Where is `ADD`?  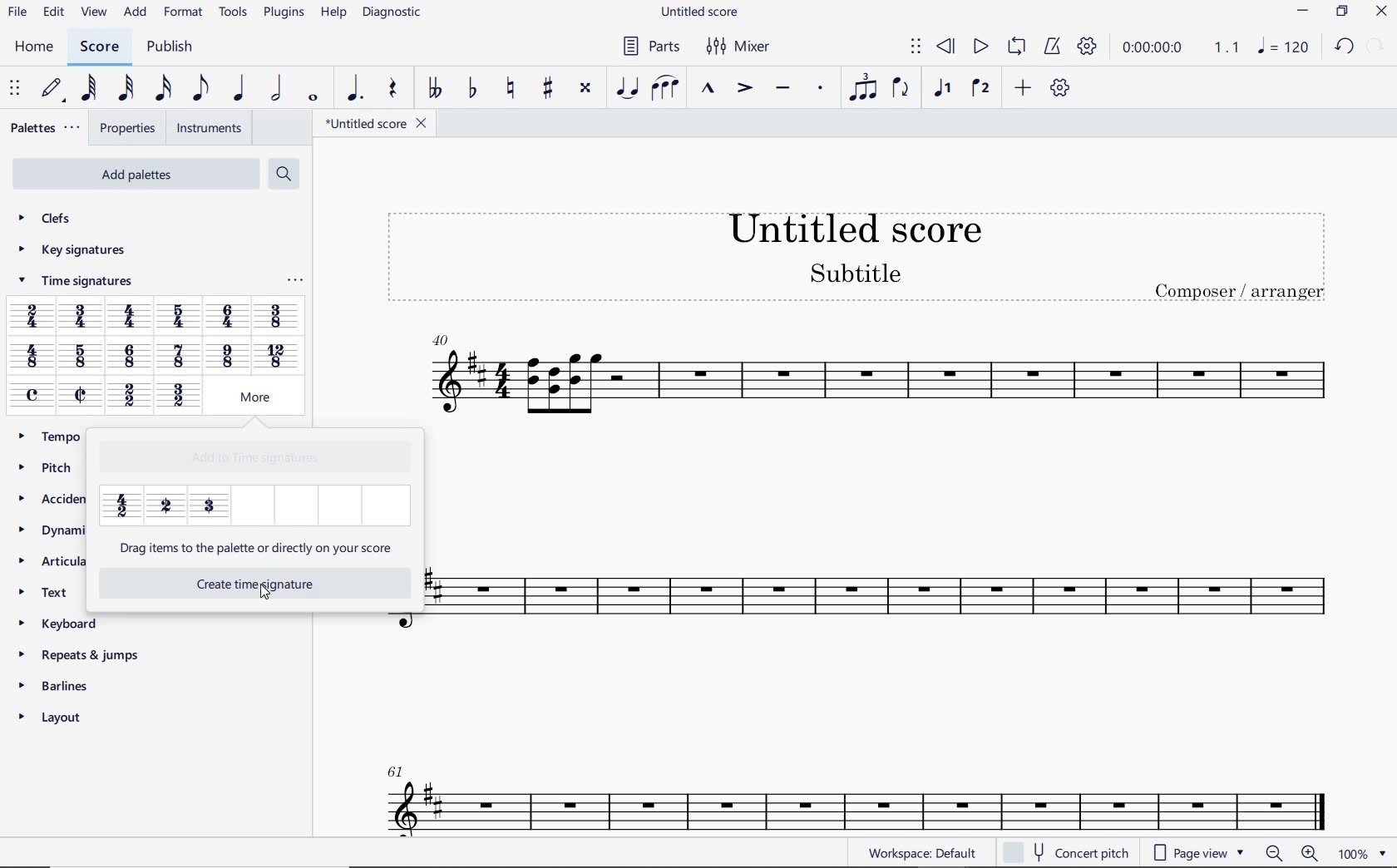
ADD is located at coordinates (1023, 87).